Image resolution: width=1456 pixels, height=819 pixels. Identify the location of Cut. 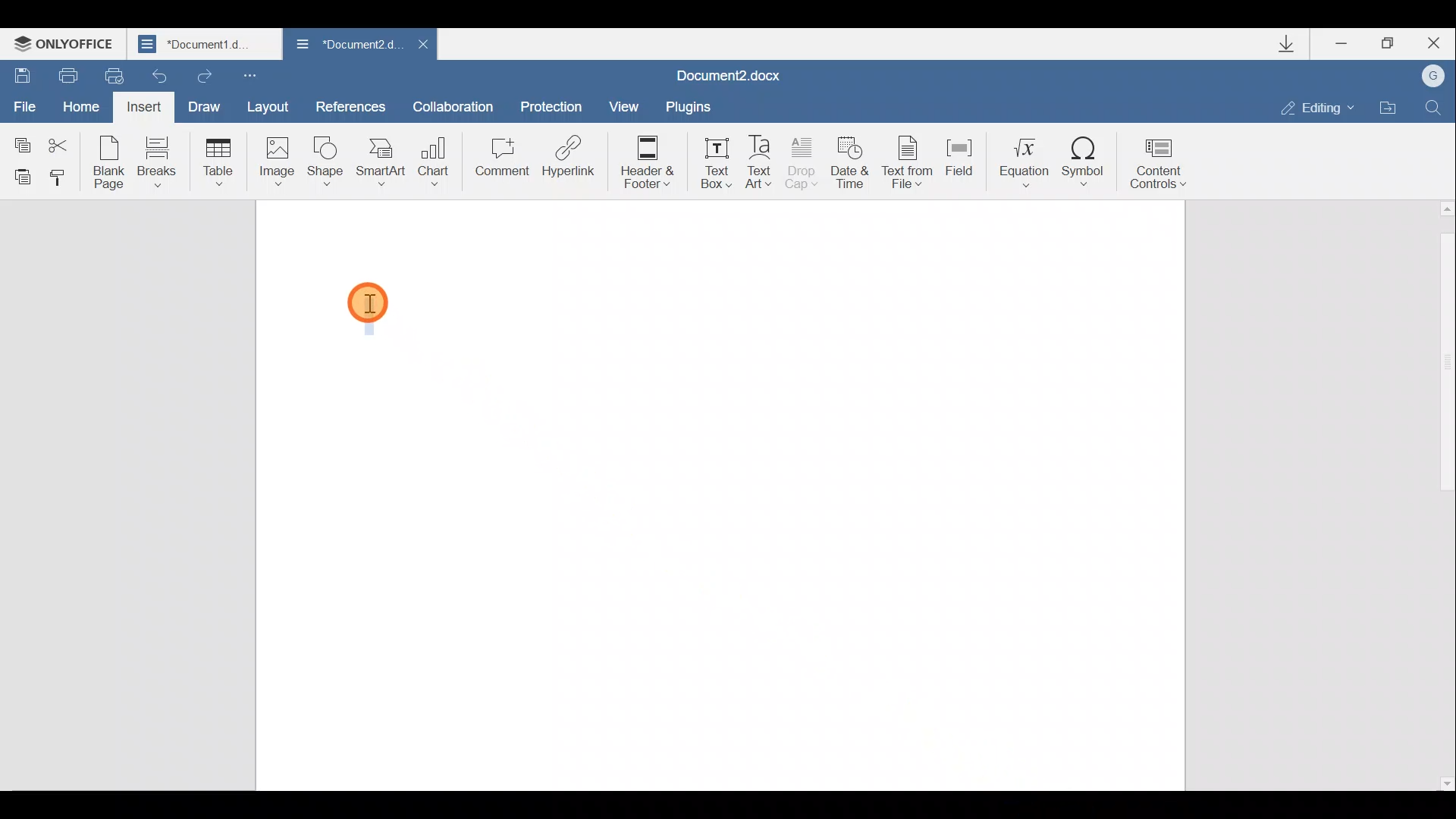
(63, 140).